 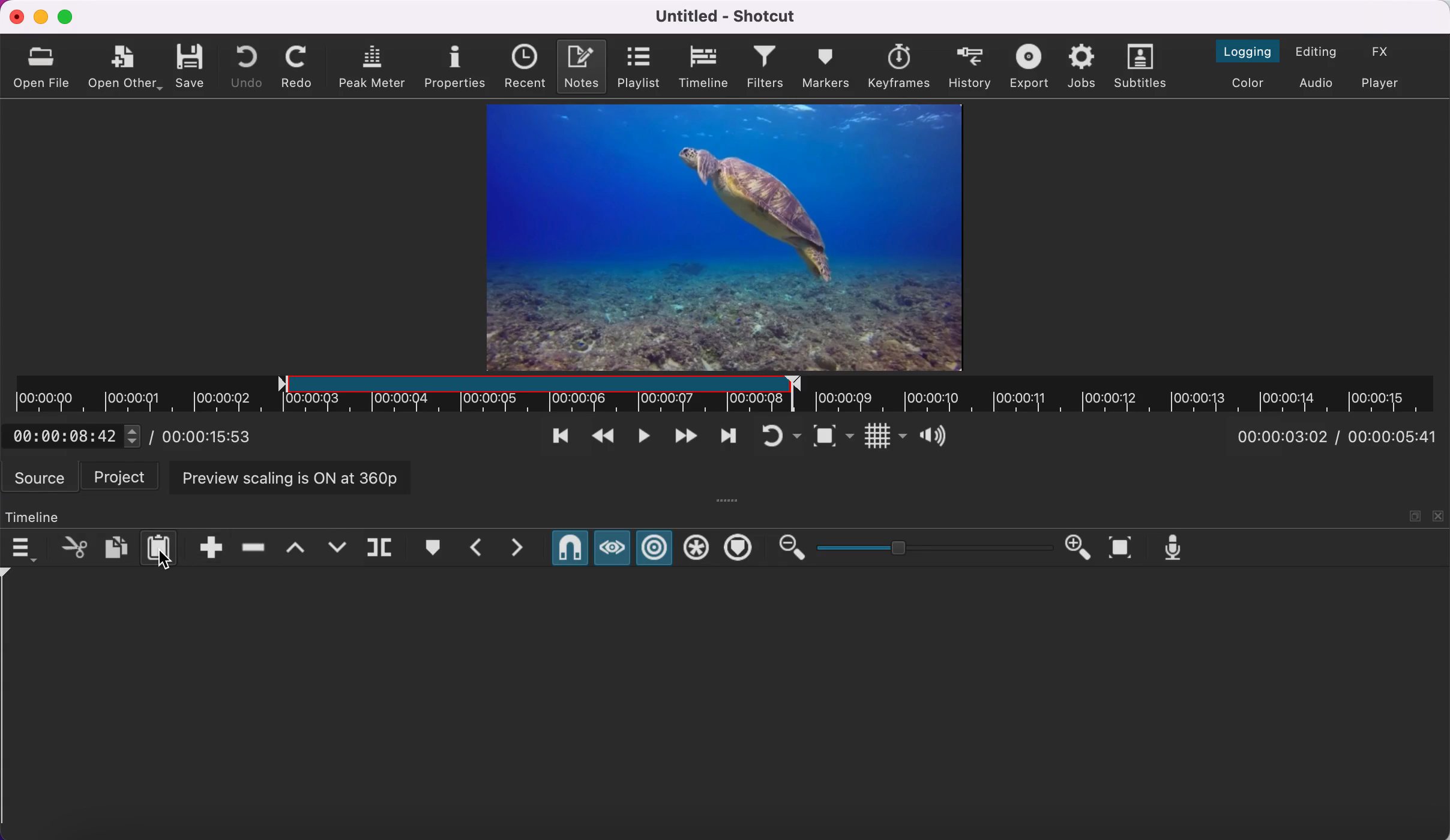 What do you see at coordinates (210, 547) in the screenshot?
I see `append` at bounding box center [210, 547].